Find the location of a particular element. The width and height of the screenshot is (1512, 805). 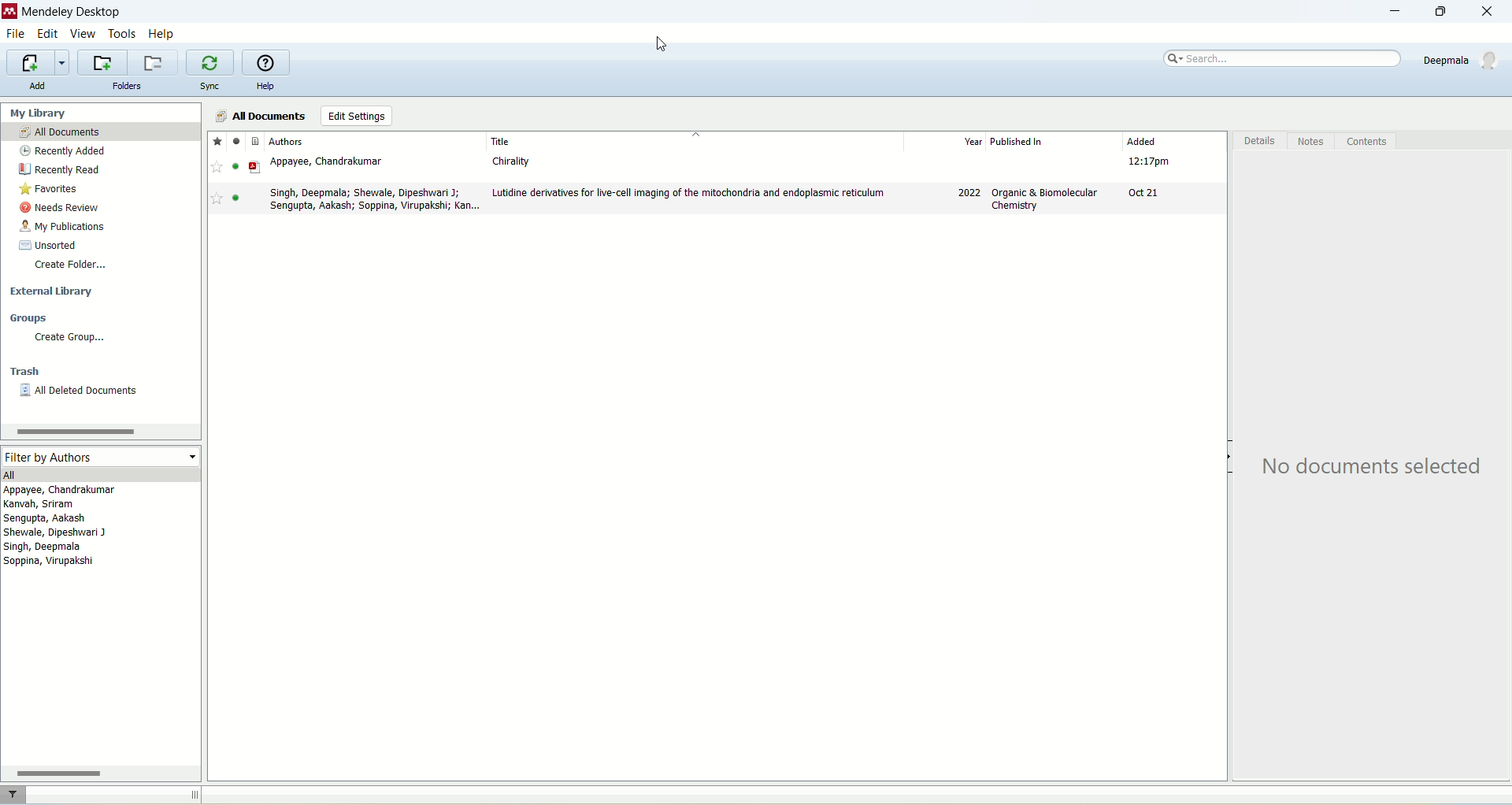

filters is located at coordinates (16, 793).